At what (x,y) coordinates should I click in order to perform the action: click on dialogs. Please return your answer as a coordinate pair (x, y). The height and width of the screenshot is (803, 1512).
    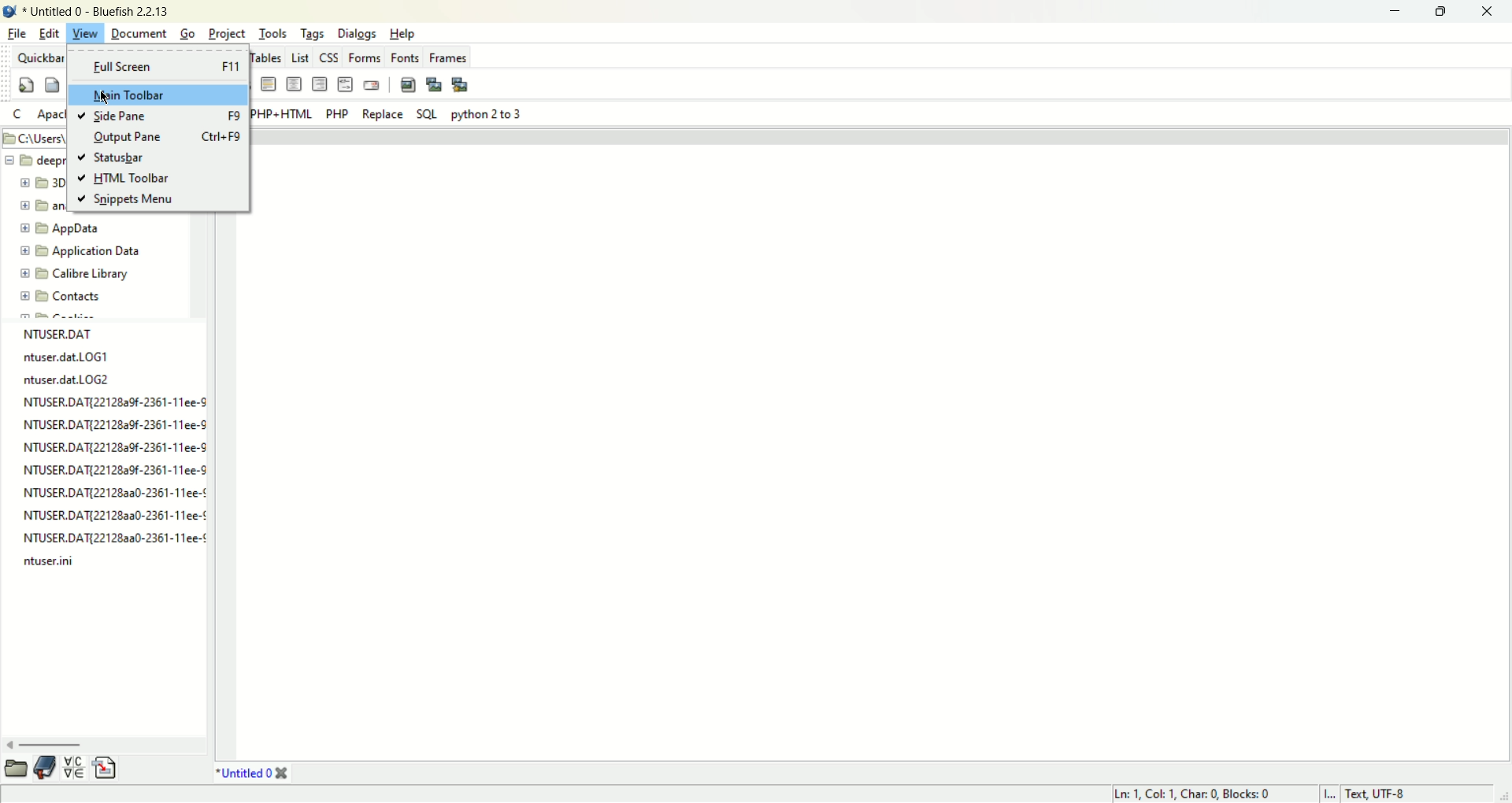
    Looking at the image, I should click on (358, 35).